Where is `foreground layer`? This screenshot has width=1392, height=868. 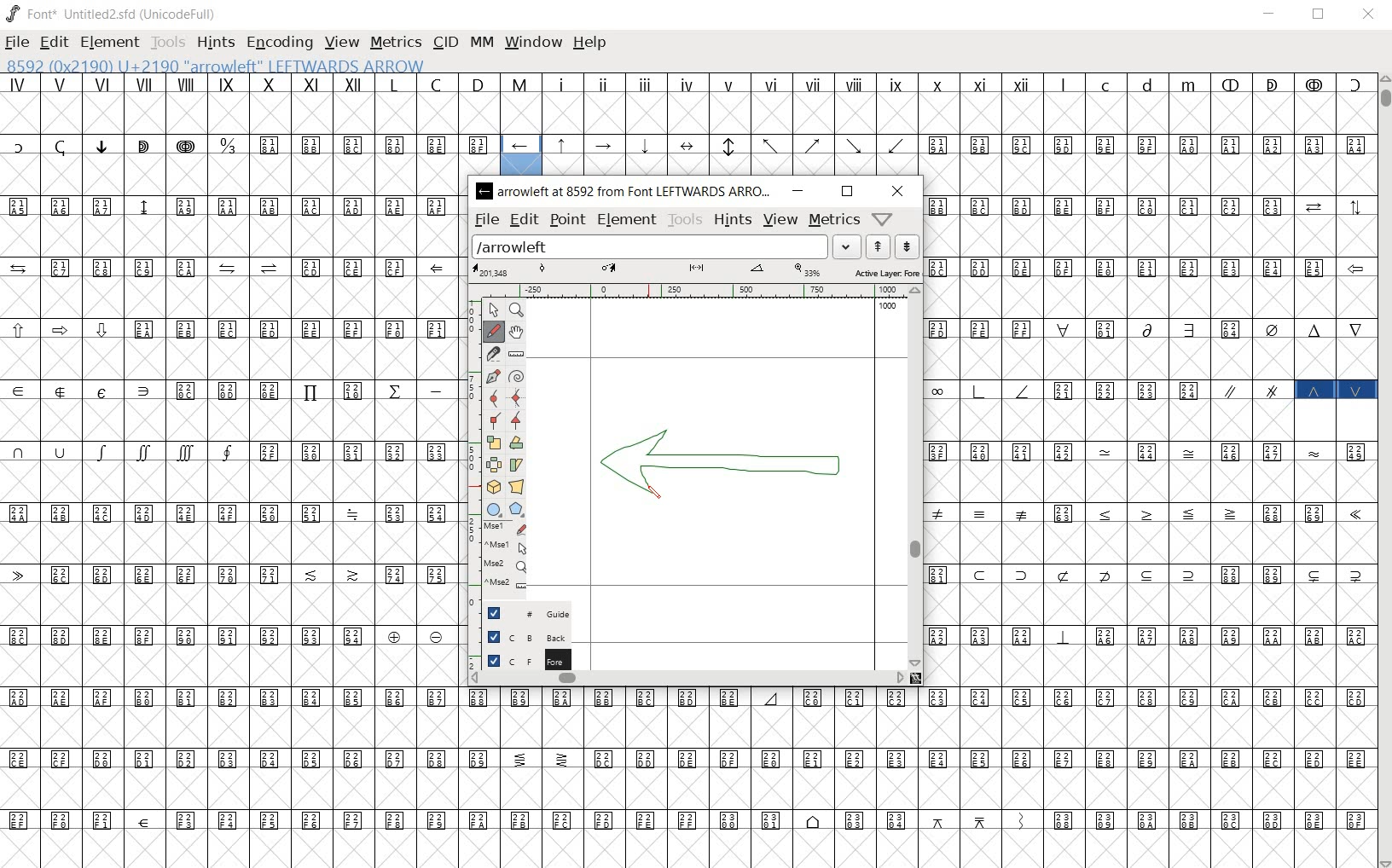
foreground layer is located at coordinates (520, 660).